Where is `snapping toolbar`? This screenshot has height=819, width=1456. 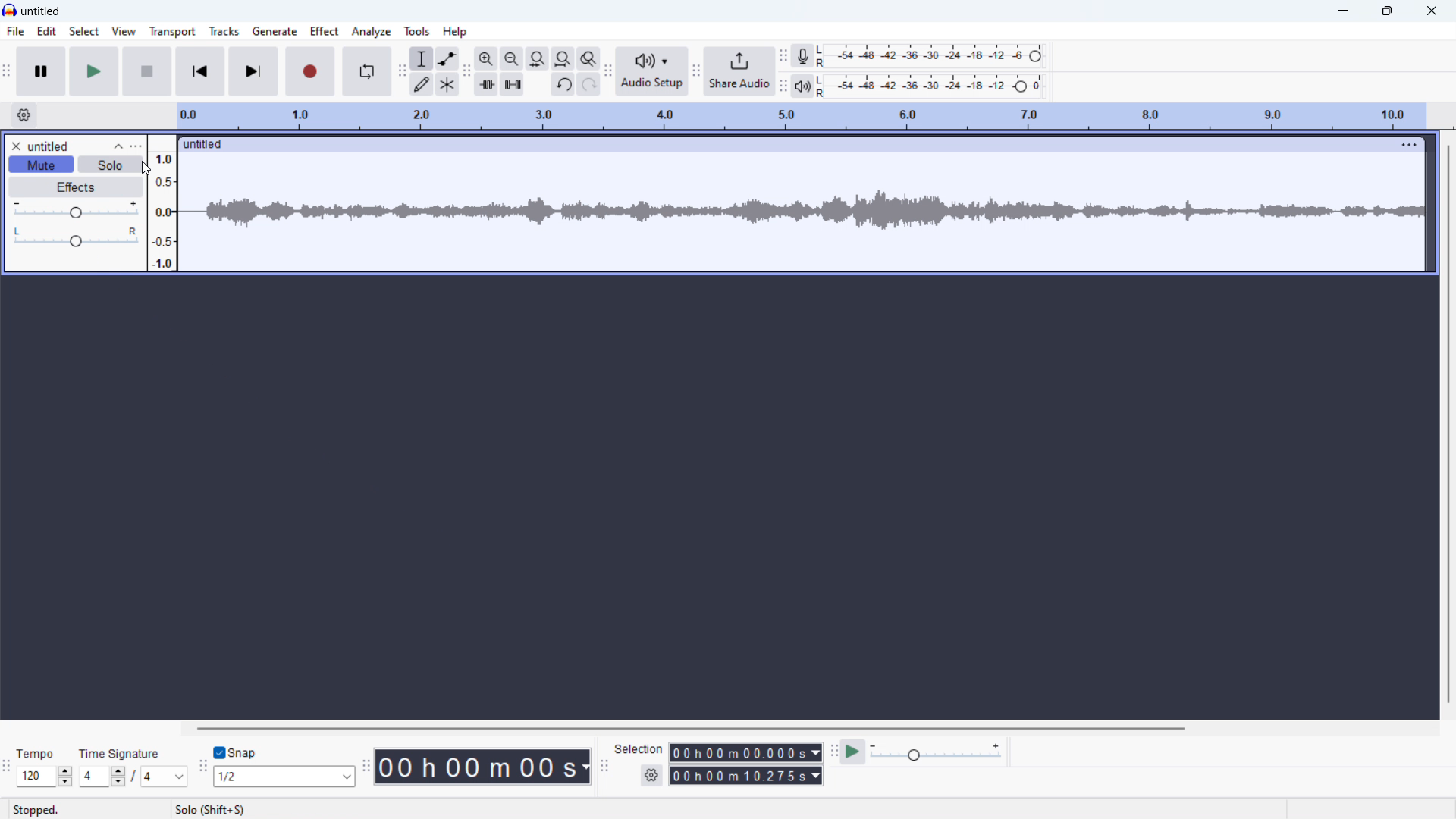 snapping toolbar is located at coordinates (202, 769).